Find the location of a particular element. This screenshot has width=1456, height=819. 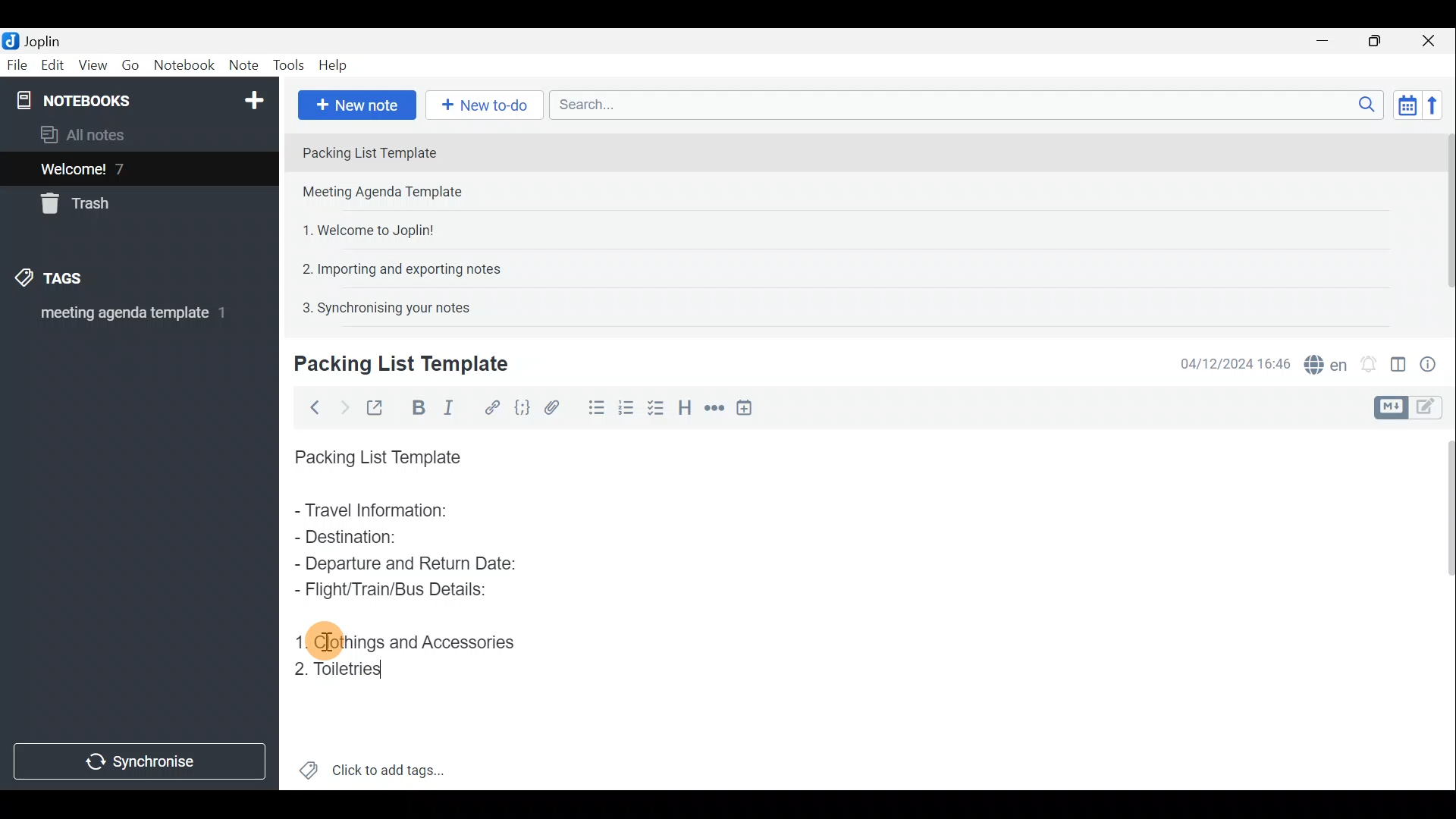

File is located at coordinates (15, 64).